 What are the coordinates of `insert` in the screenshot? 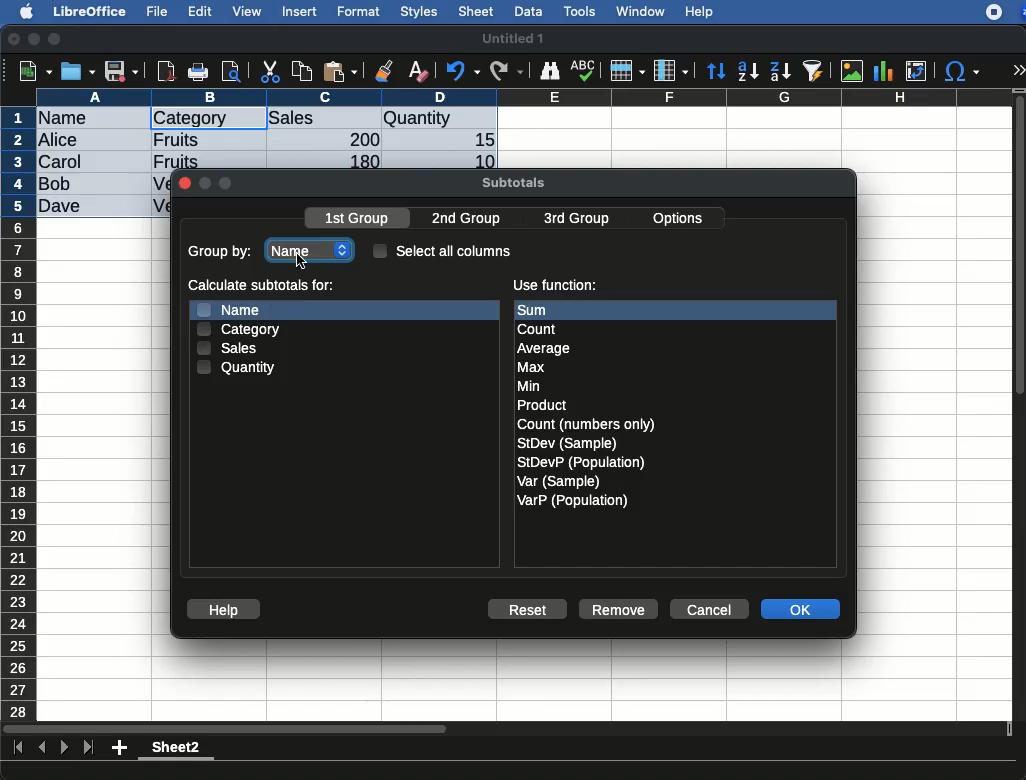 It's located at (300, 11).